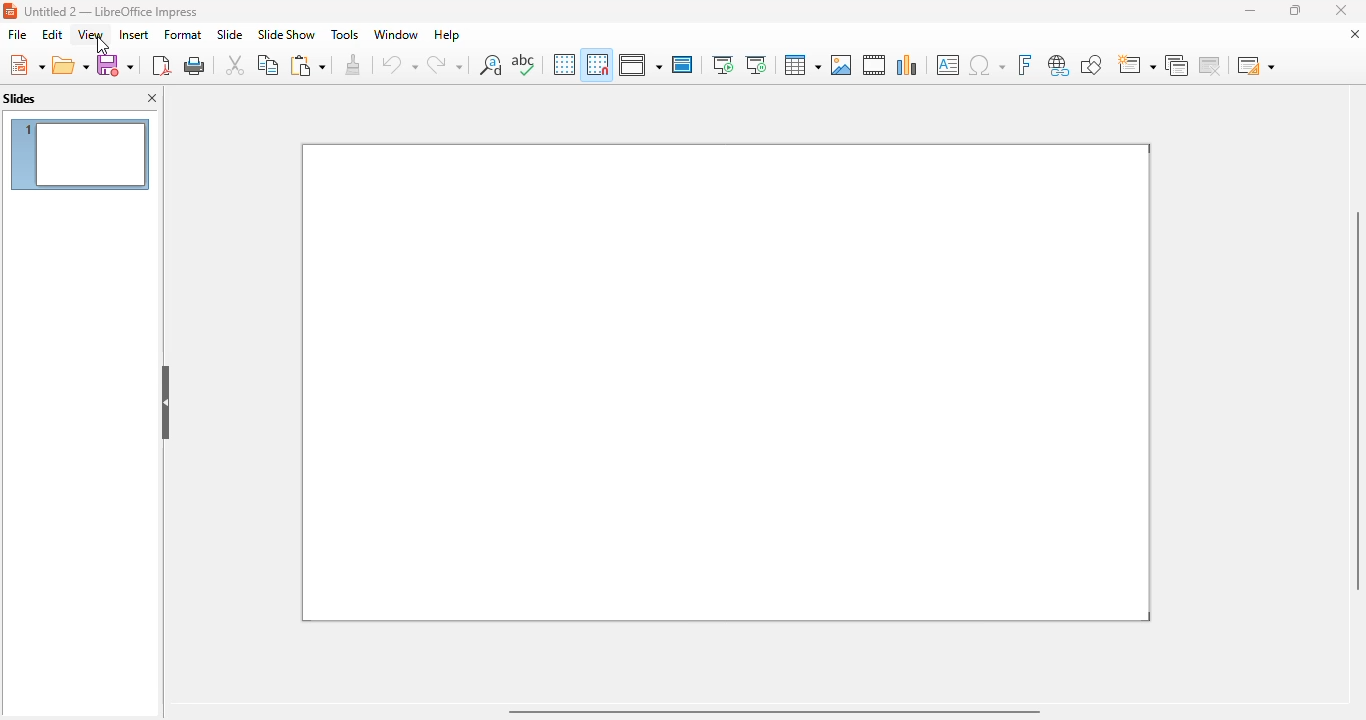 The height and width of the screenshot is (720, 1366). Describe the element at coordinates (1058, 64) in the screenshot. I see `insert hyperlink` at that location.